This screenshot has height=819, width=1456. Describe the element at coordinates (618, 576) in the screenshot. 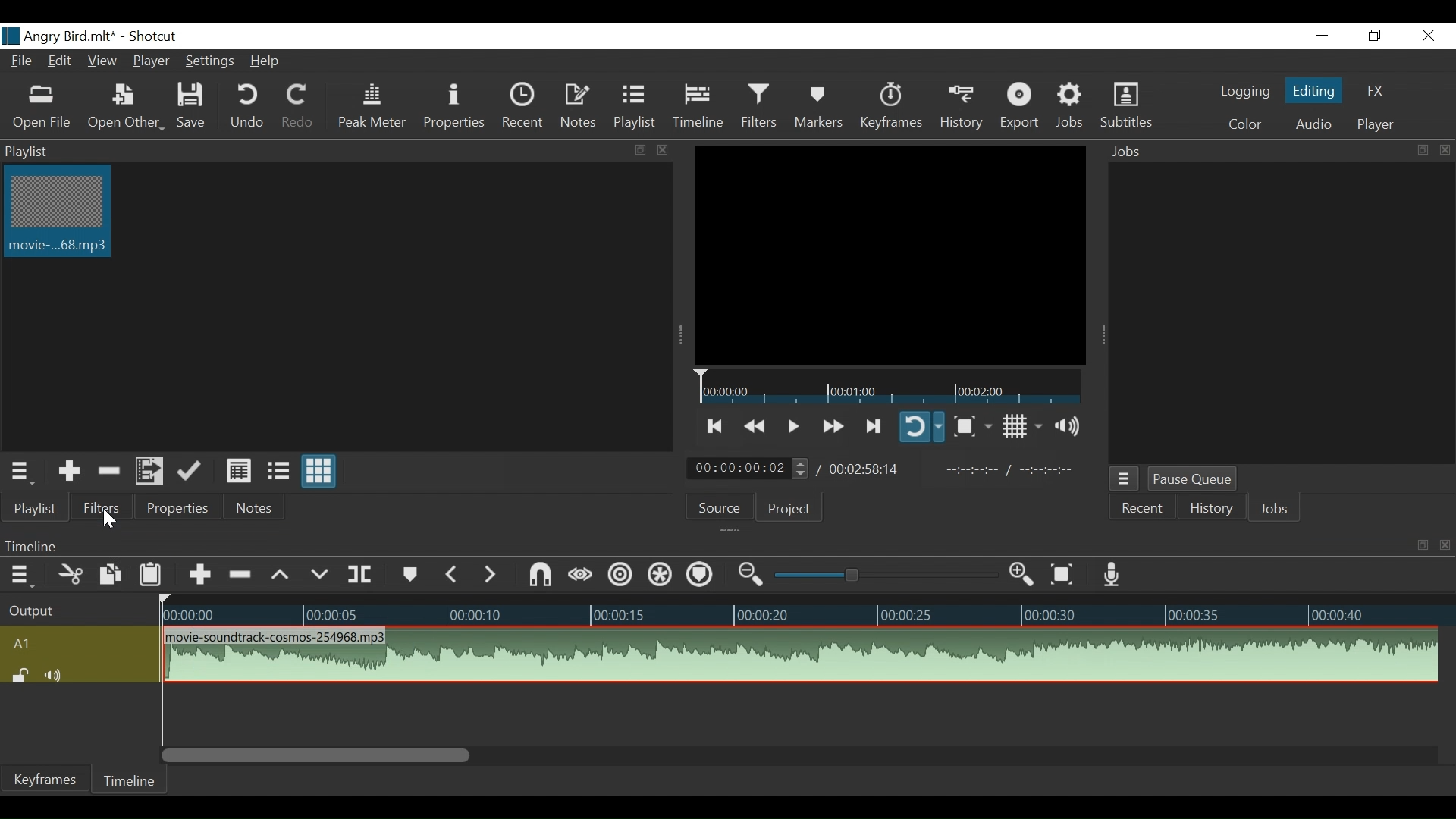

I see `Ripple ` at that location.